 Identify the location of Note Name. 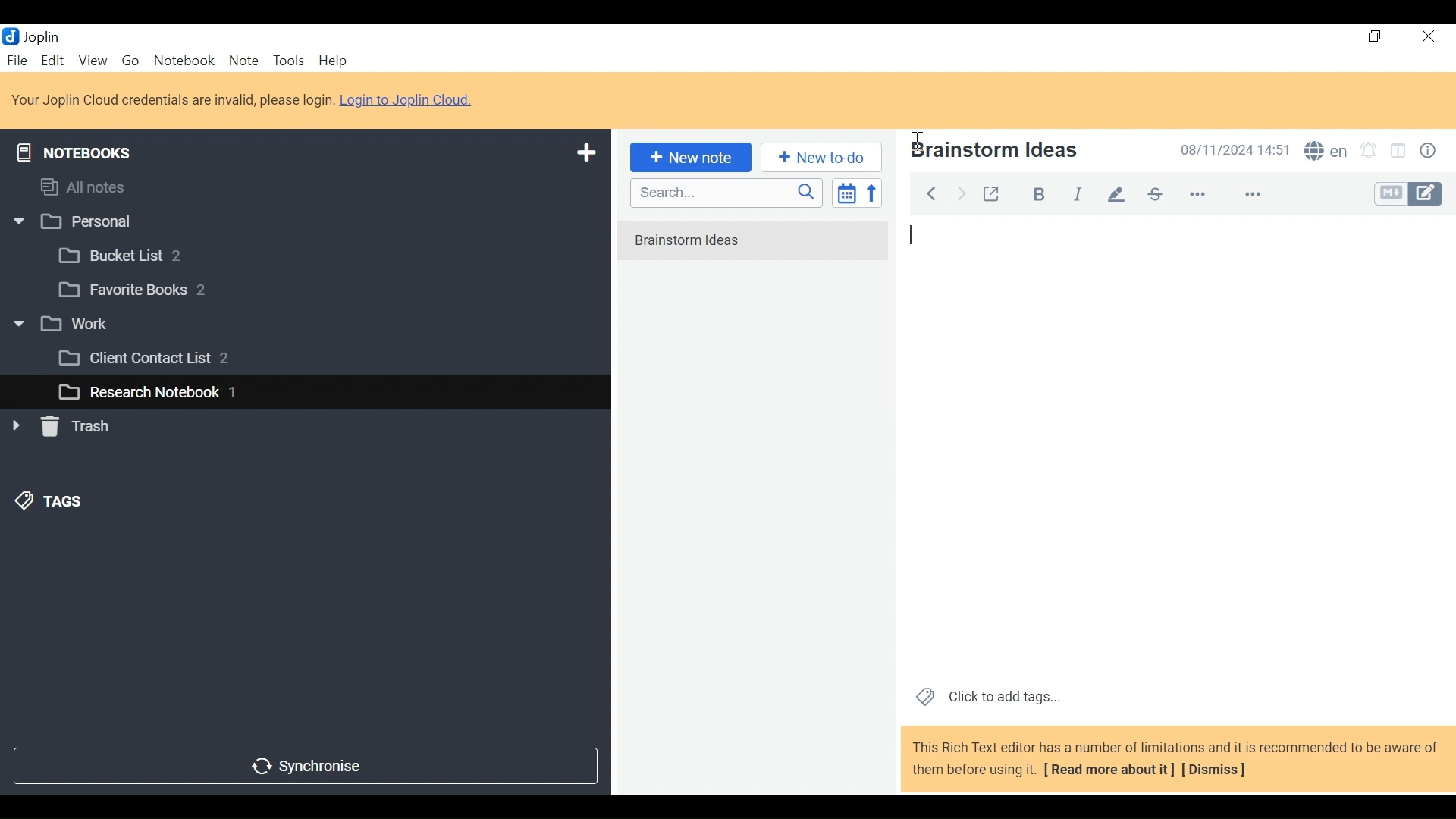
(1026, 152).